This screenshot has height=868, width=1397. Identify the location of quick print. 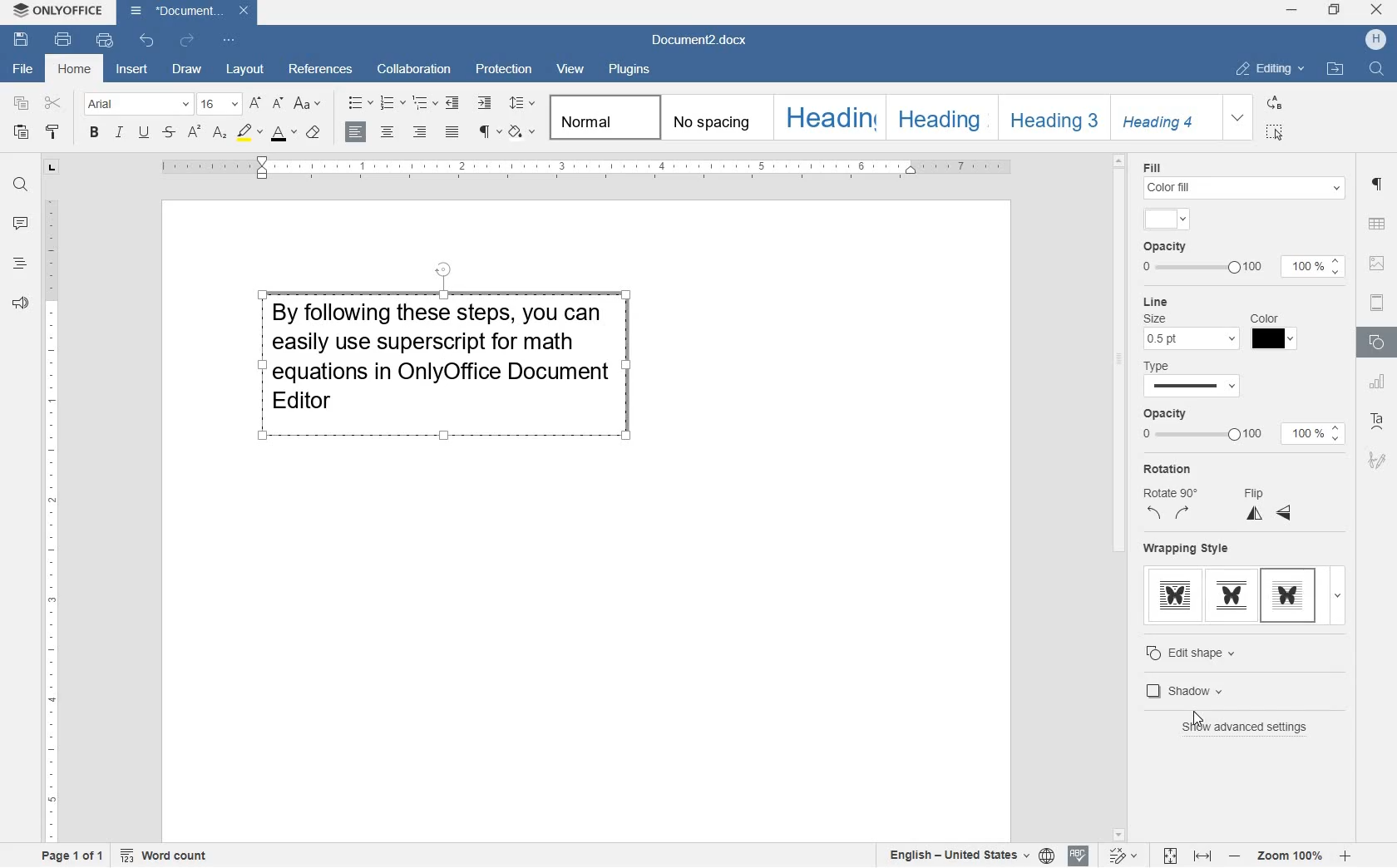
(105, 40).